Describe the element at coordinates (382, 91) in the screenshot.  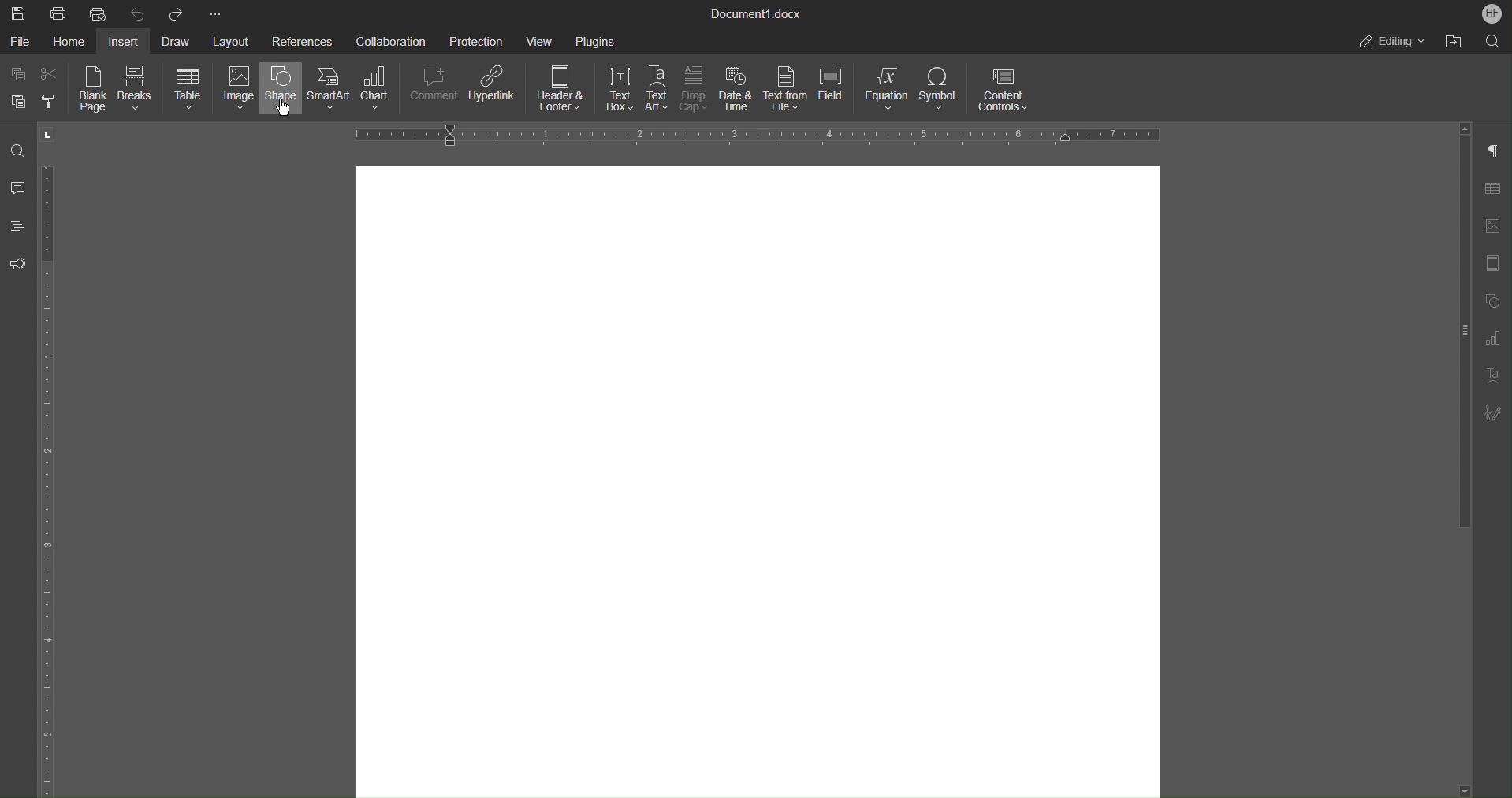
I see `Chart` at that location.